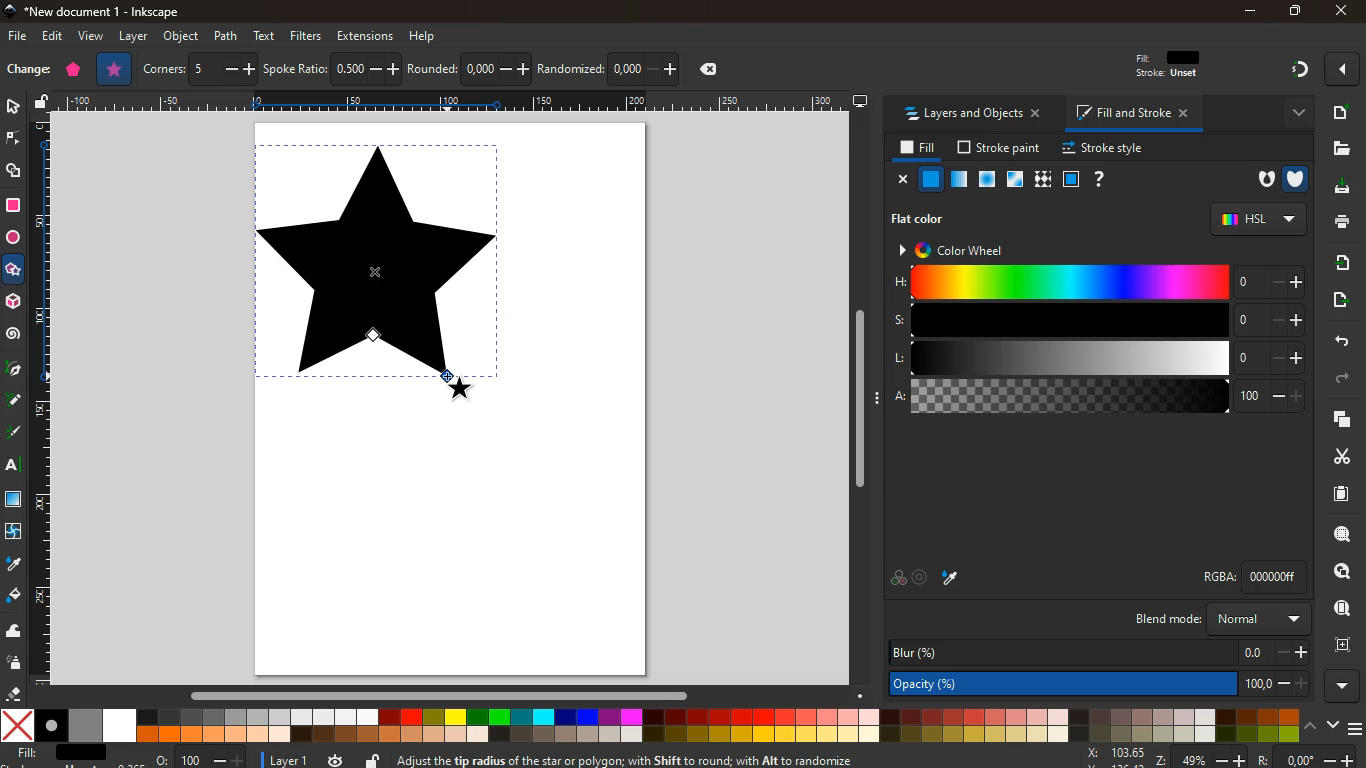  Describe the element at coordinates (1000, 146) in the screenshot. I see `stroke paint` at that location.